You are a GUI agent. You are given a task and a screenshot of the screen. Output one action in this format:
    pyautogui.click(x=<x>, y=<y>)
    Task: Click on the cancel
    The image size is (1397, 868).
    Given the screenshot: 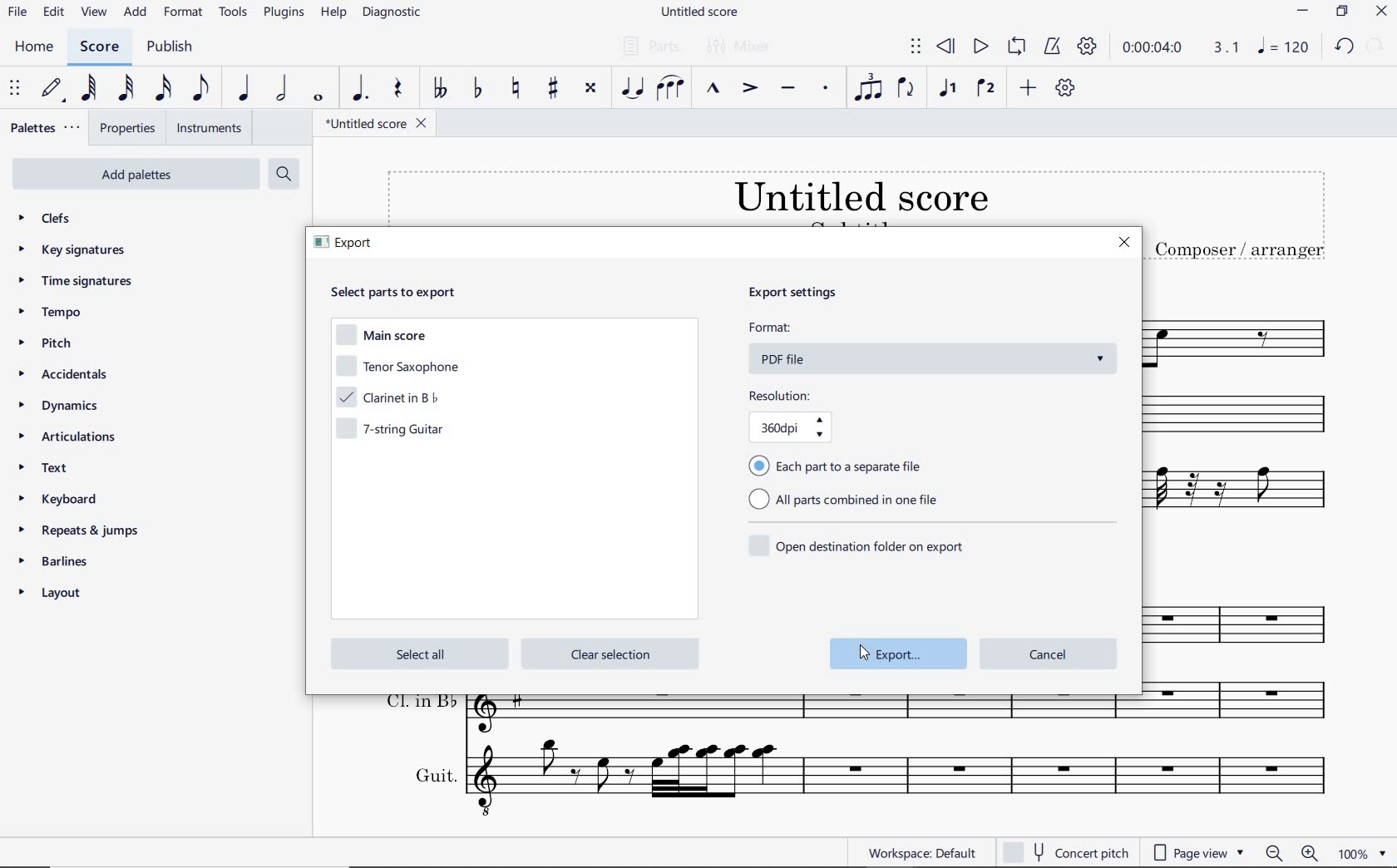 What is the action you would take?
    pyautogui.click(x=1049, y=652)
    